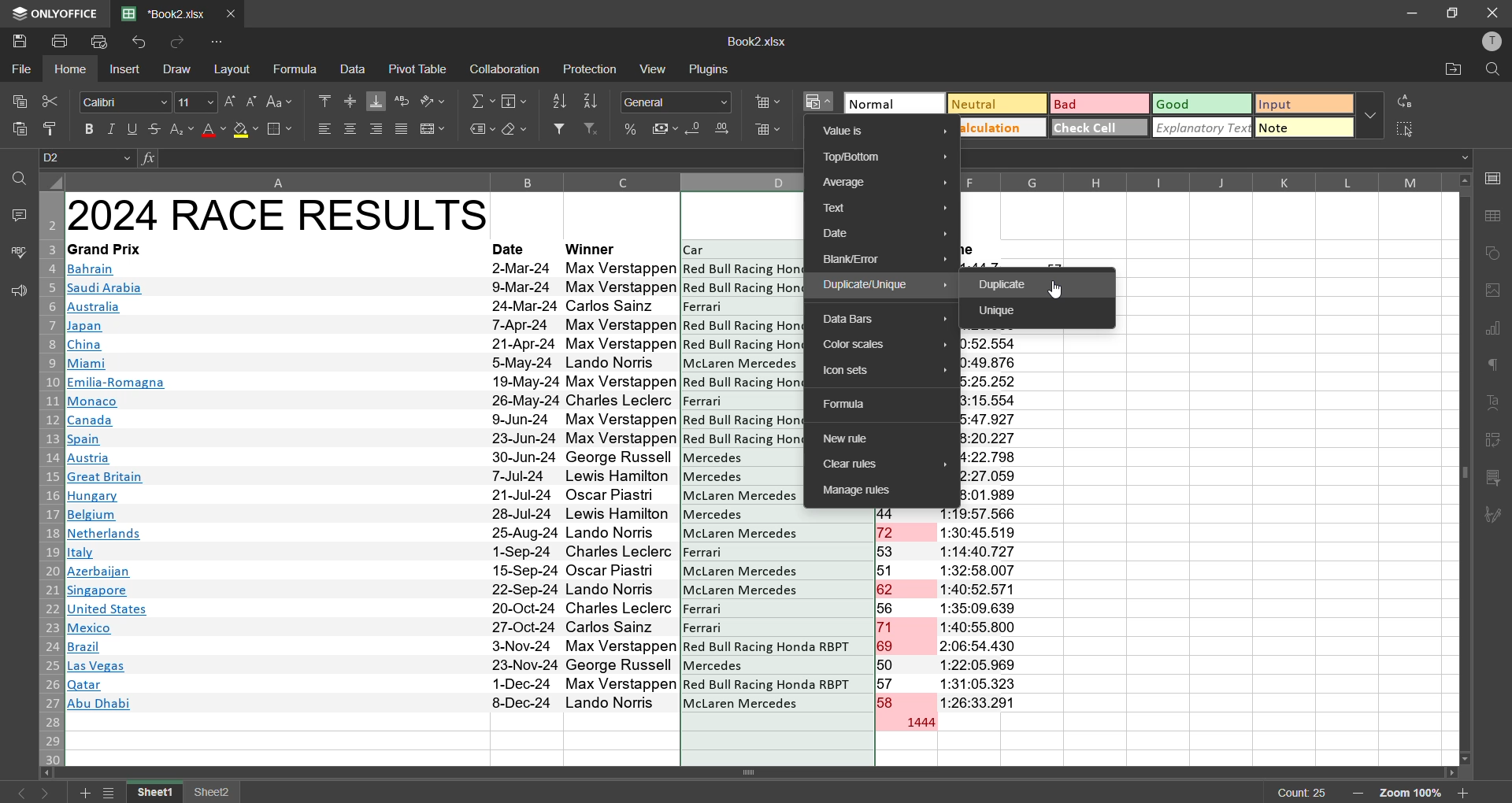  I want to click on view, so click(656, 68).